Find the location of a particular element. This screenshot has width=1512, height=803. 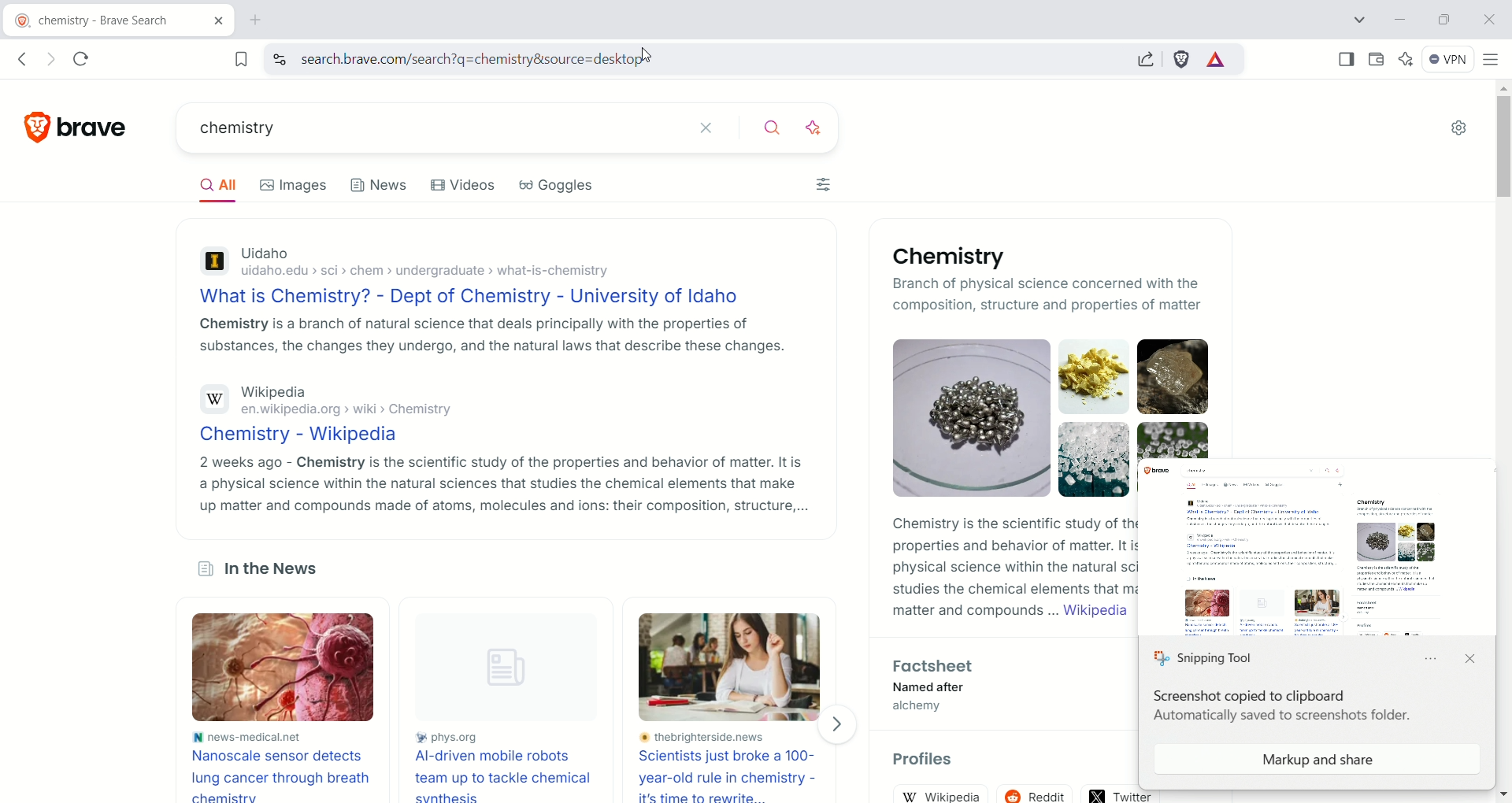

image is located at coordinates (735, 667).